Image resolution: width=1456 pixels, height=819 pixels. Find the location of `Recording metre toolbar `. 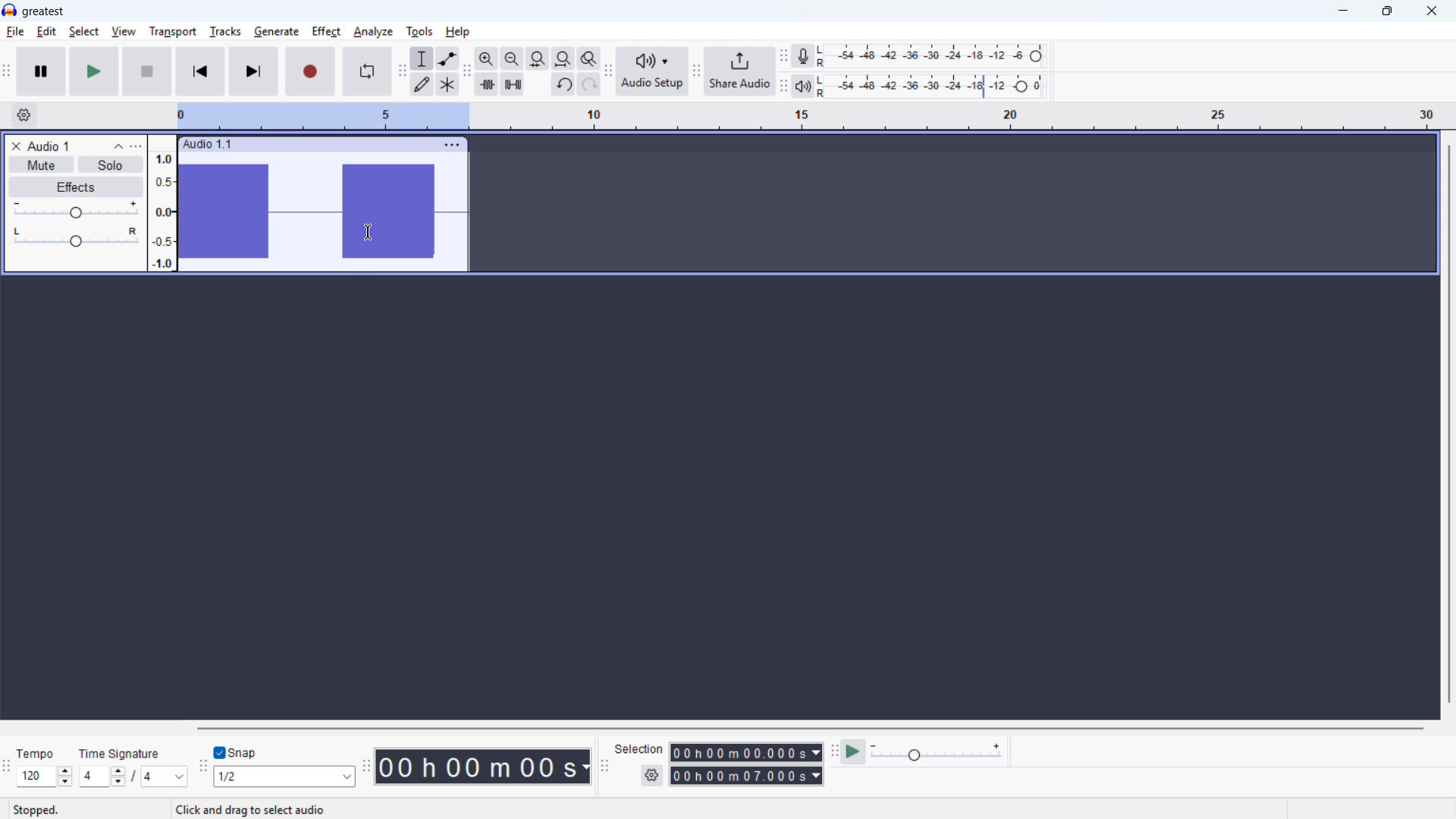

Recording metre toolbar  is located at coordinates (783, 57).